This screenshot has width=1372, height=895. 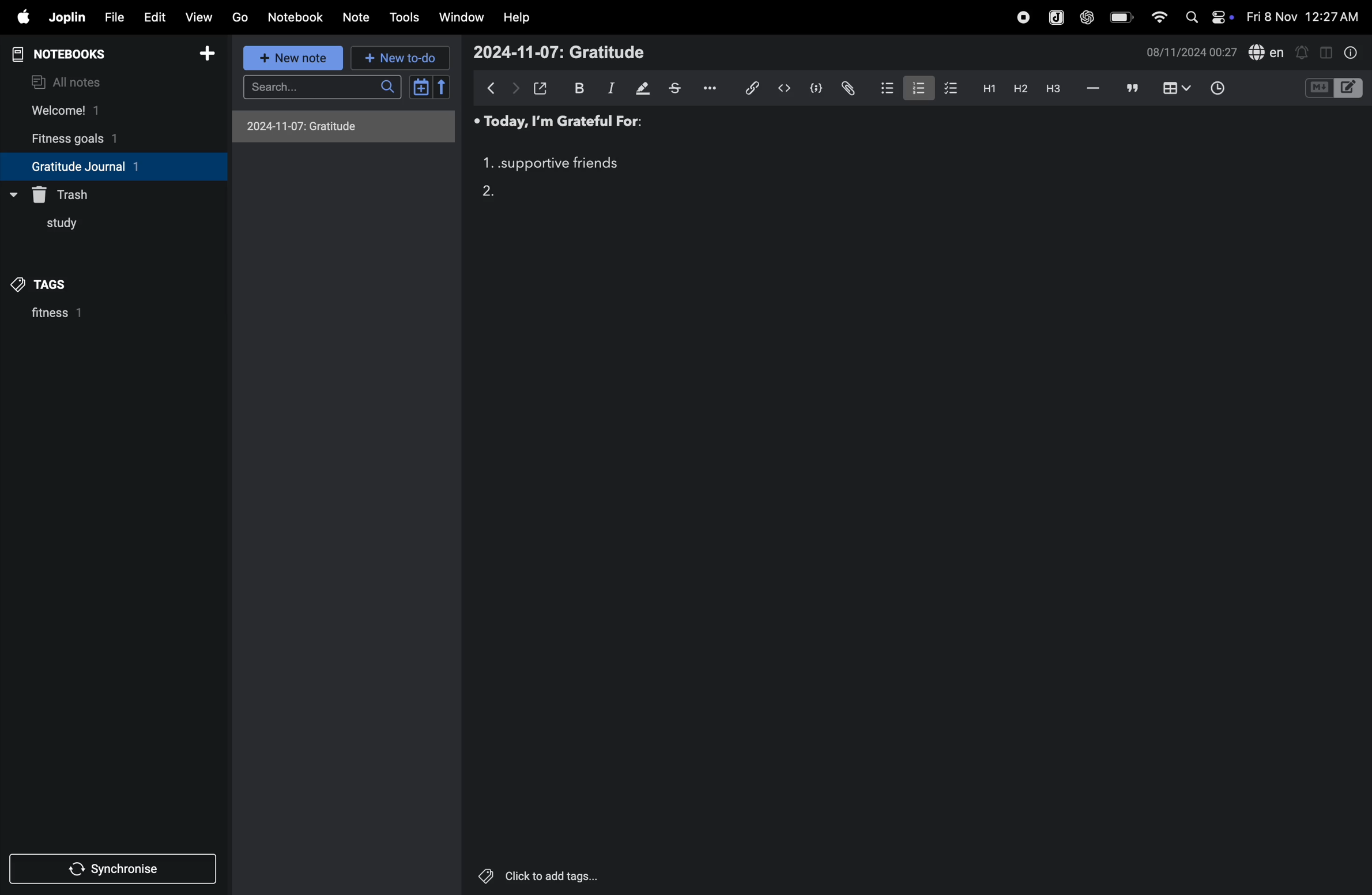 What do you see at coordinates (353, 17) in the screenshot?
I see `note` at bounding box center [353, 17].